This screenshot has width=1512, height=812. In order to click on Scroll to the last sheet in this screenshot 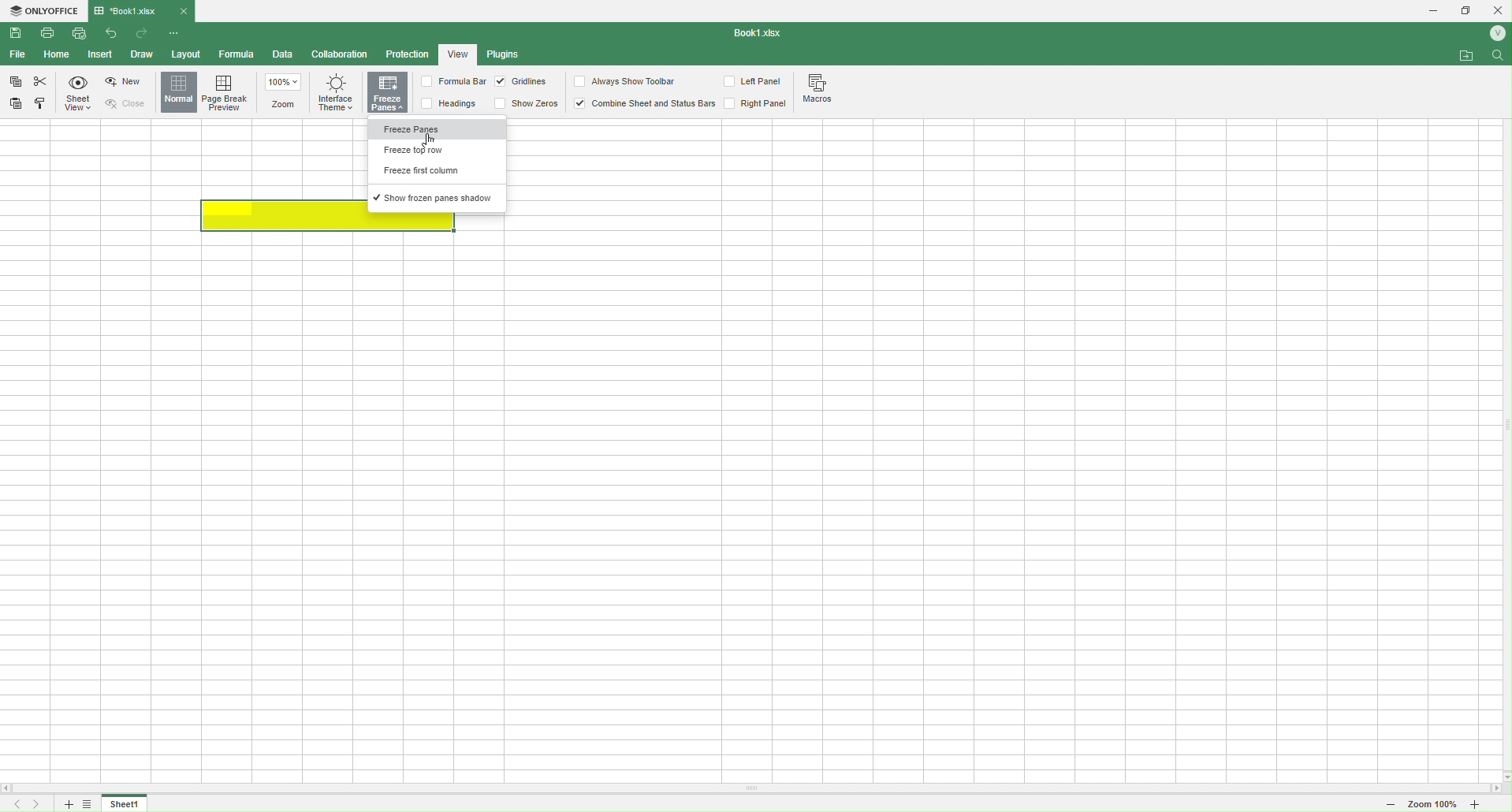, I will do `click(39, 804)`.